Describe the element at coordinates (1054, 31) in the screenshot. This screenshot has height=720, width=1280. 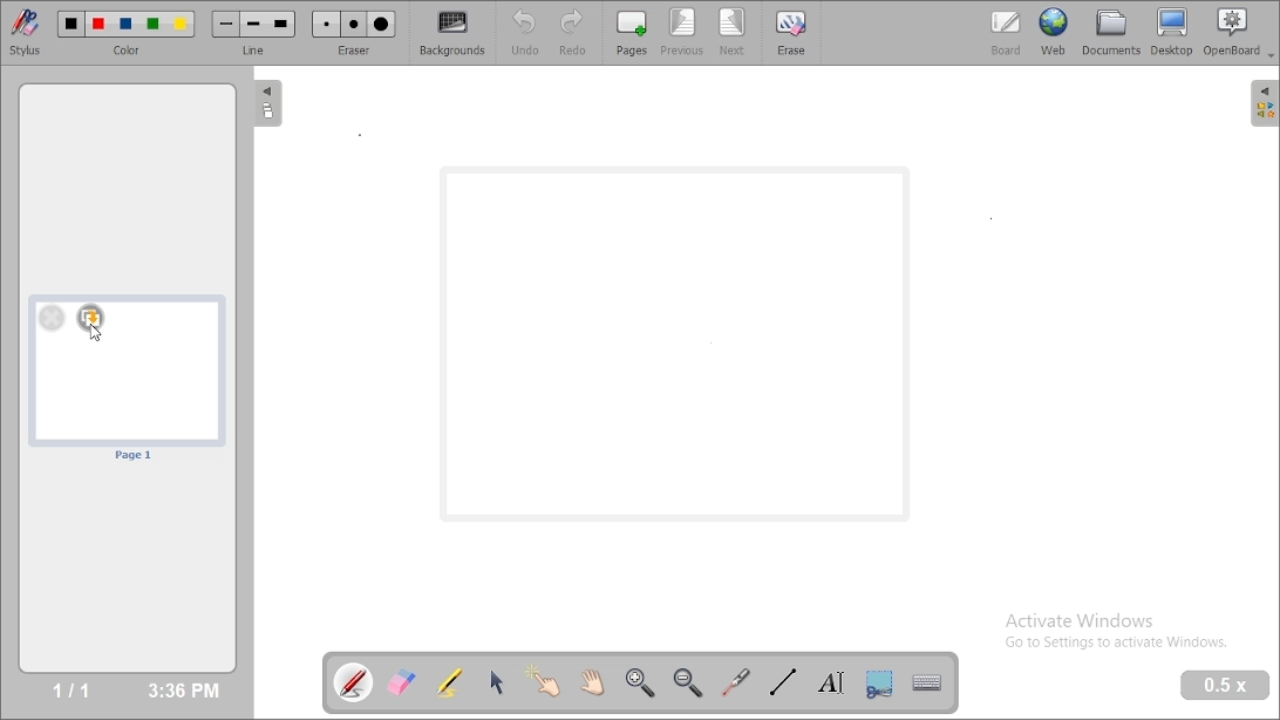
I see `web` at that location.